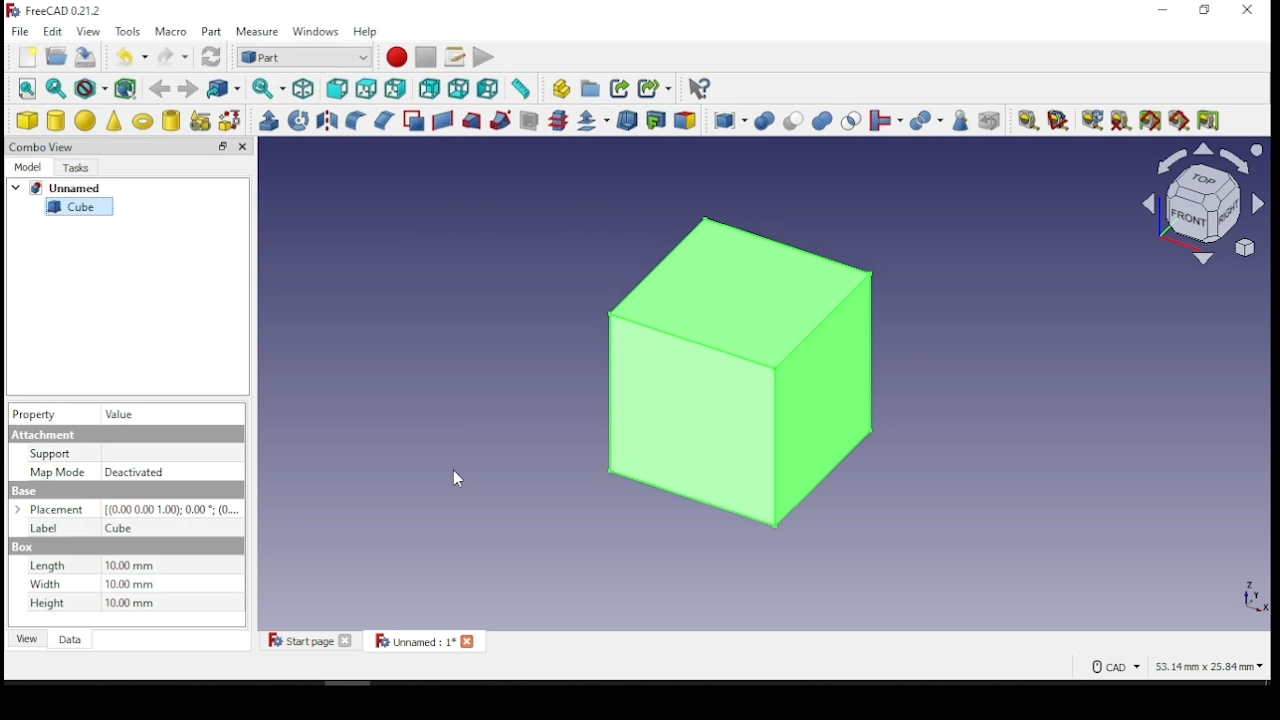 Image resolution: width=1280 pixels, height=720 pixels. I want to click on unnamed, so click(62, 187).